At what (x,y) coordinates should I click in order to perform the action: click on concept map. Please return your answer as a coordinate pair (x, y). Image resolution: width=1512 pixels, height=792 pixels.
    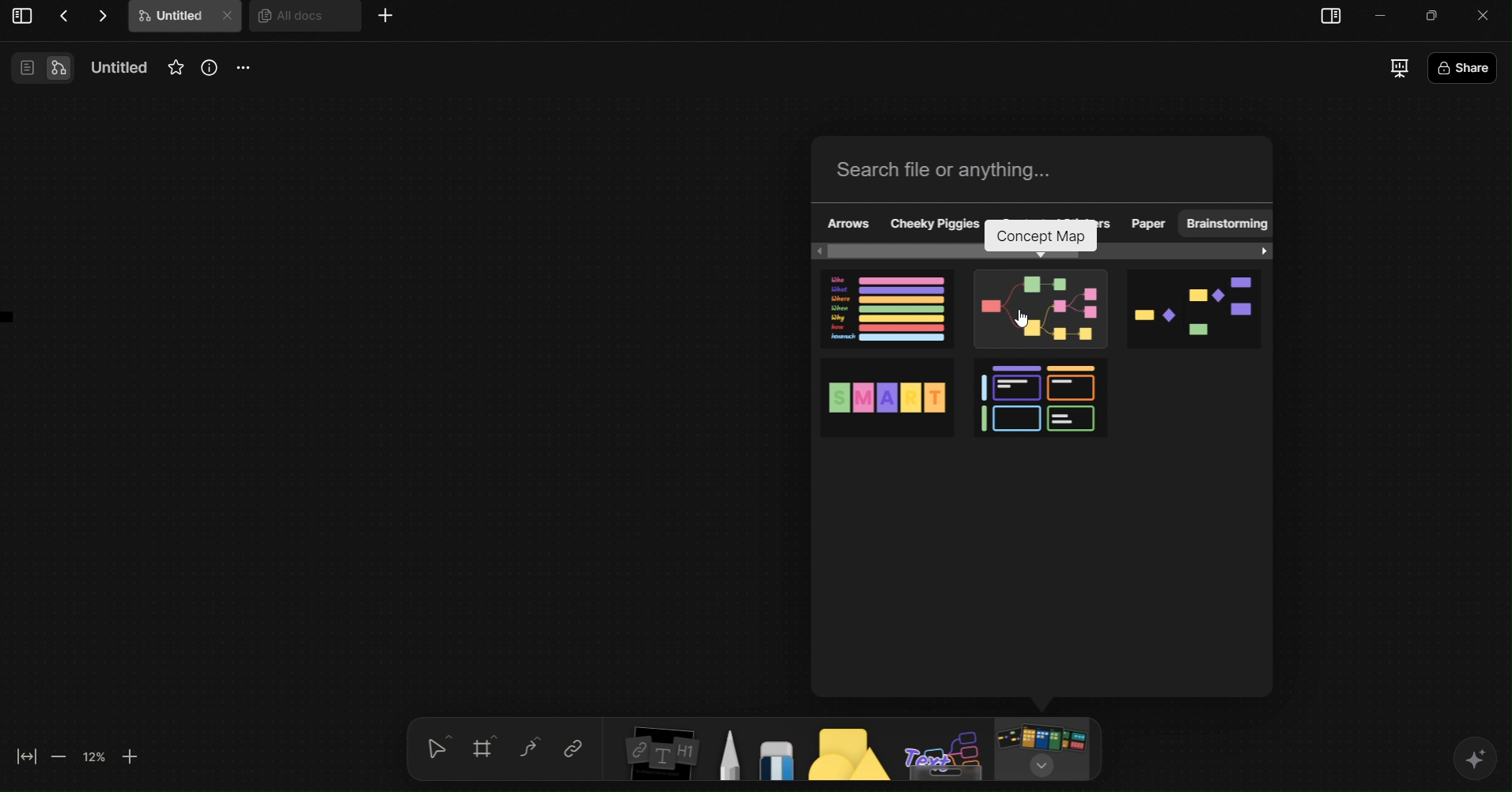
    Looking at the image, I should click on (1041, 238).